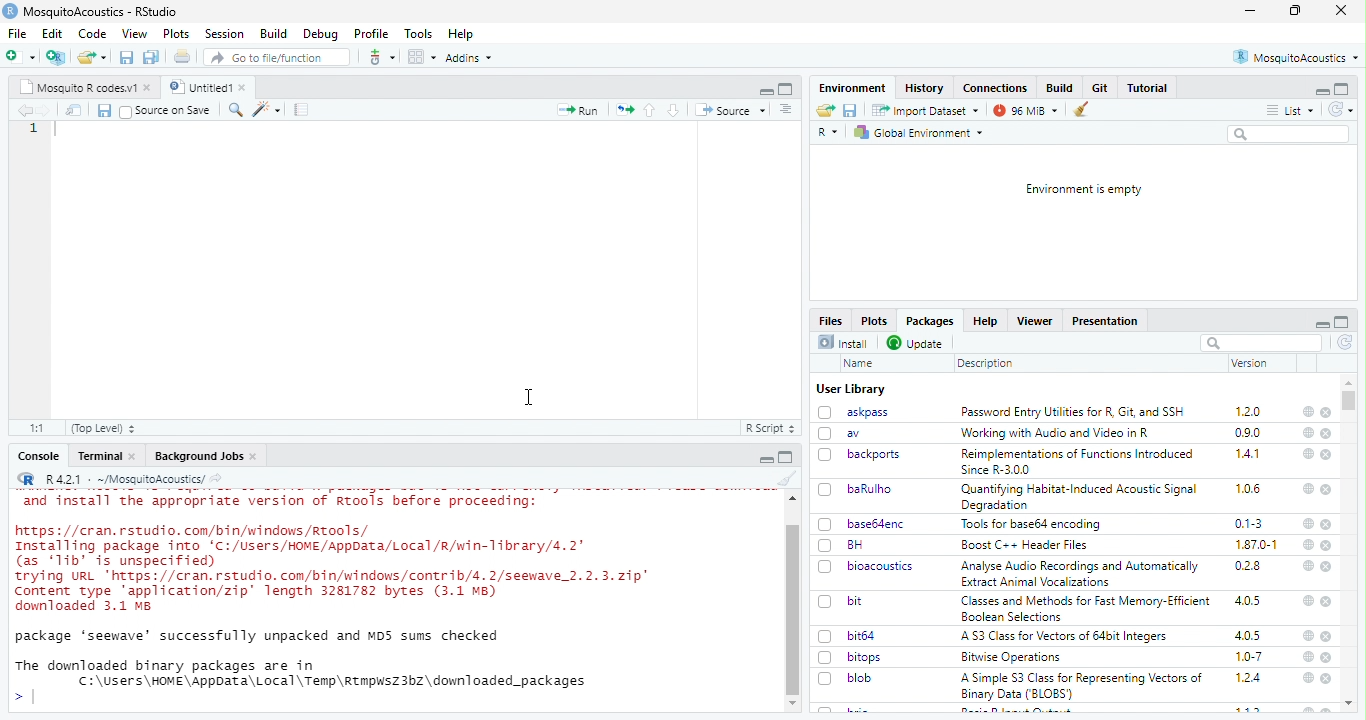 The image size is (1366, 720). What do you see at coordinates (1325, 524) in the screenshot?
I see `close` at bounding box center [1325, 524].